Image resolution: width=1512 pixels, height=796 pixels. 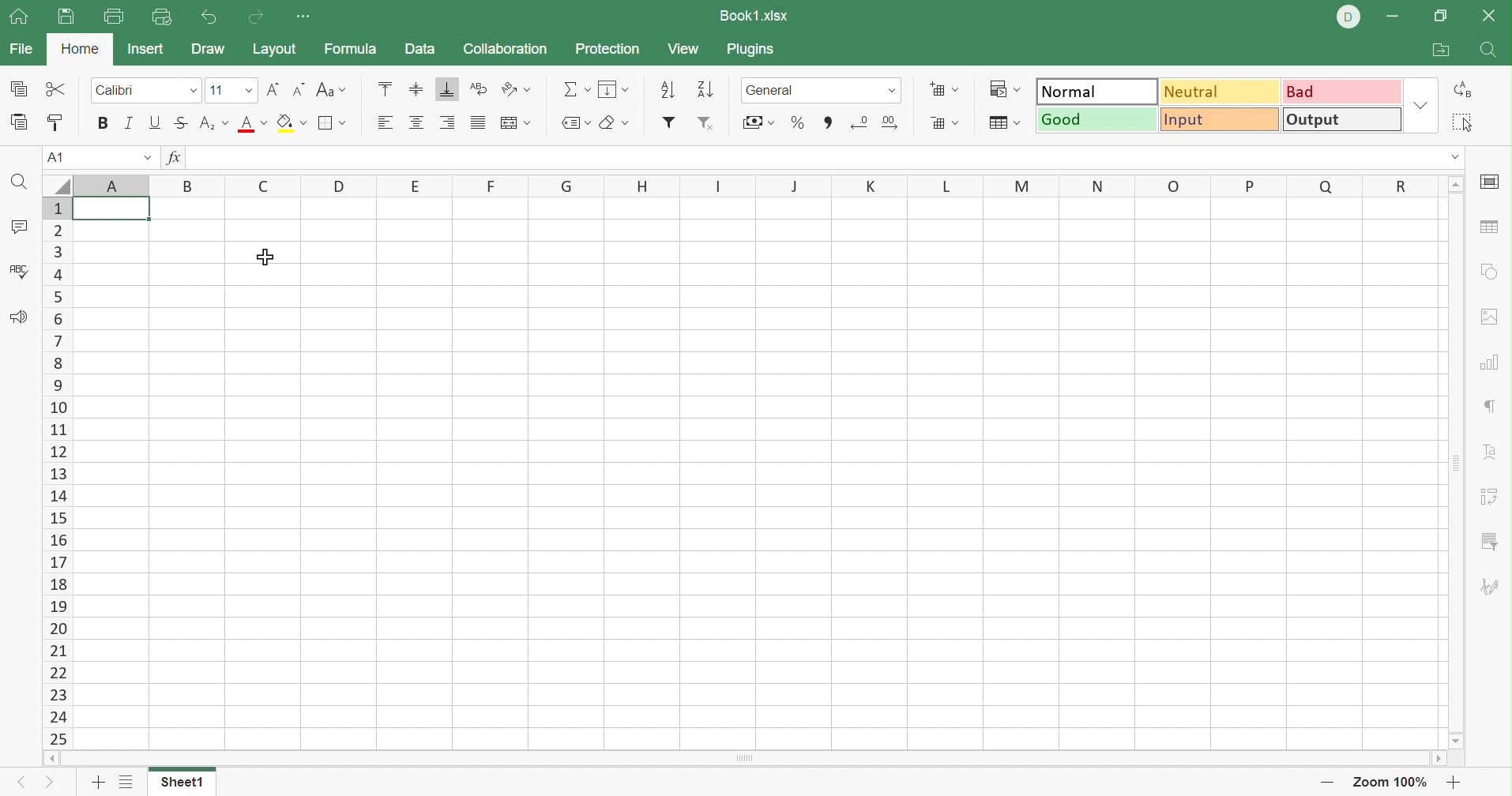 What do you see at coordinates (213, 19) in the screenshot?
I see `Undo` at bounding box center [213, 19].